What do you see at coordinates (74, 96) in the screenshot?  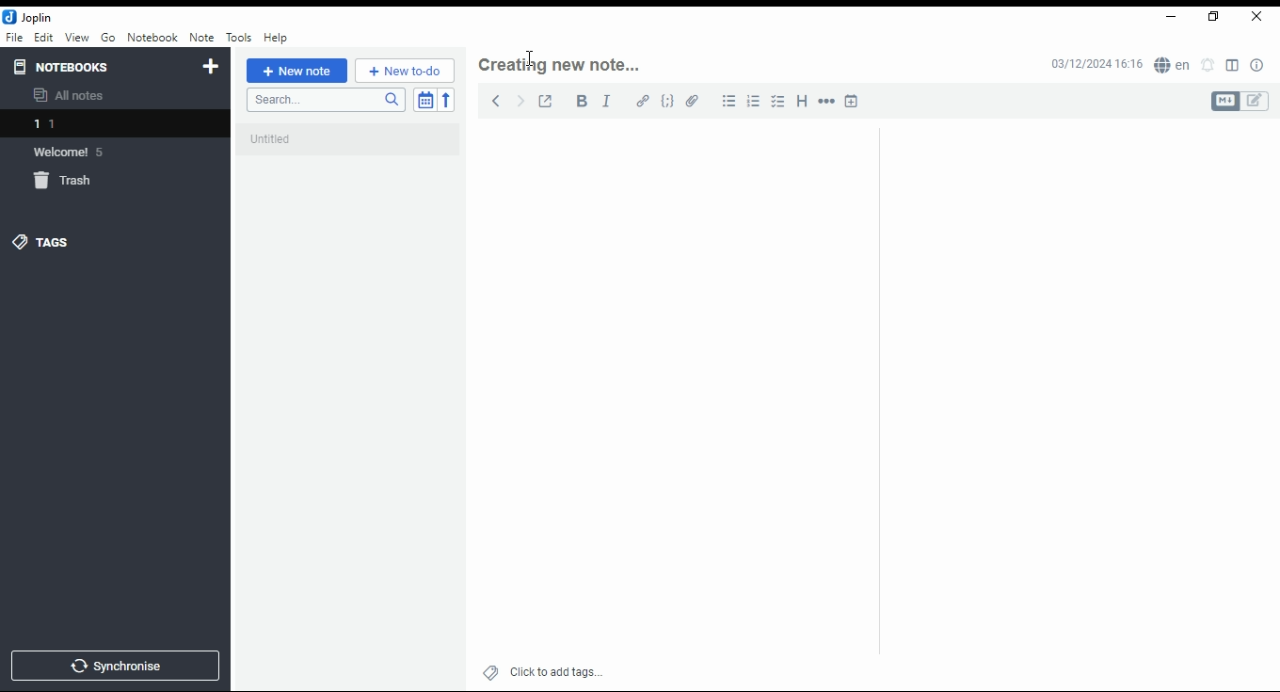 I see `all notes` at bounding box center [74, 96].